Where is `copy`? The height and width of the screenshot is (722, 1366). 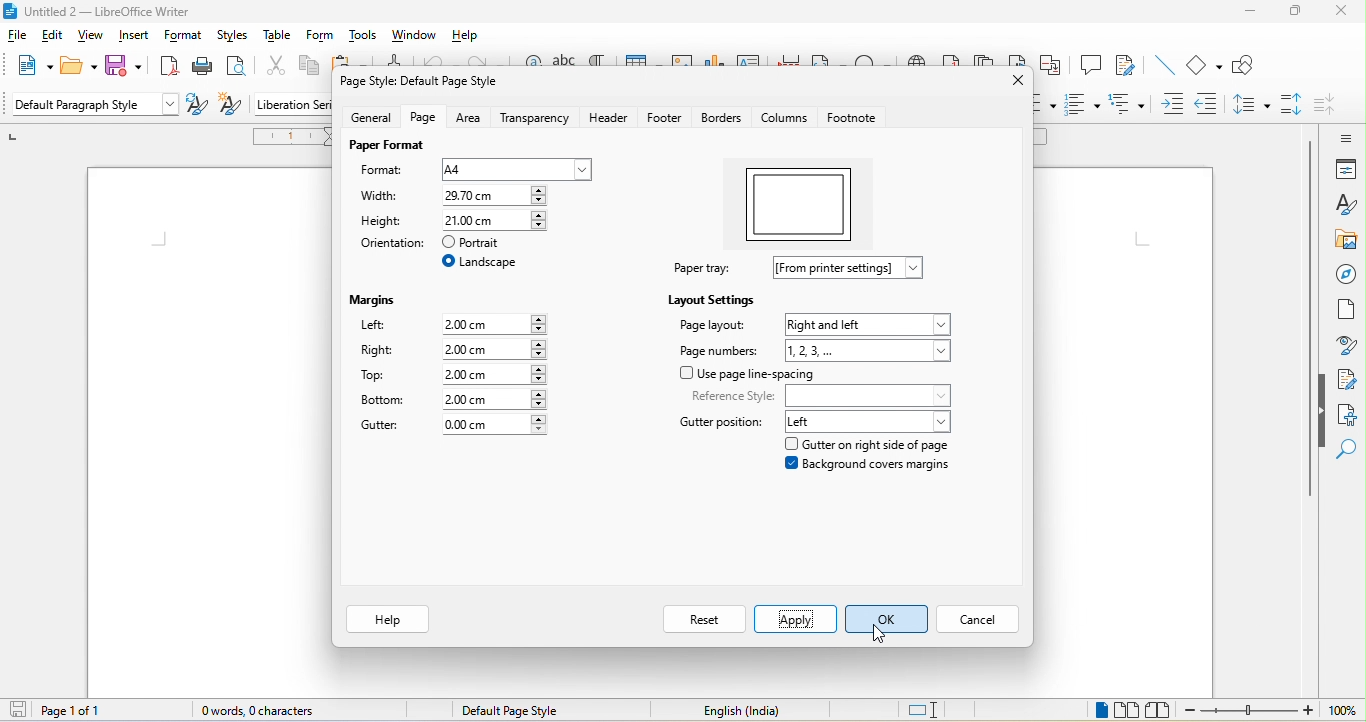 copy is located at coordinates (317, 71).